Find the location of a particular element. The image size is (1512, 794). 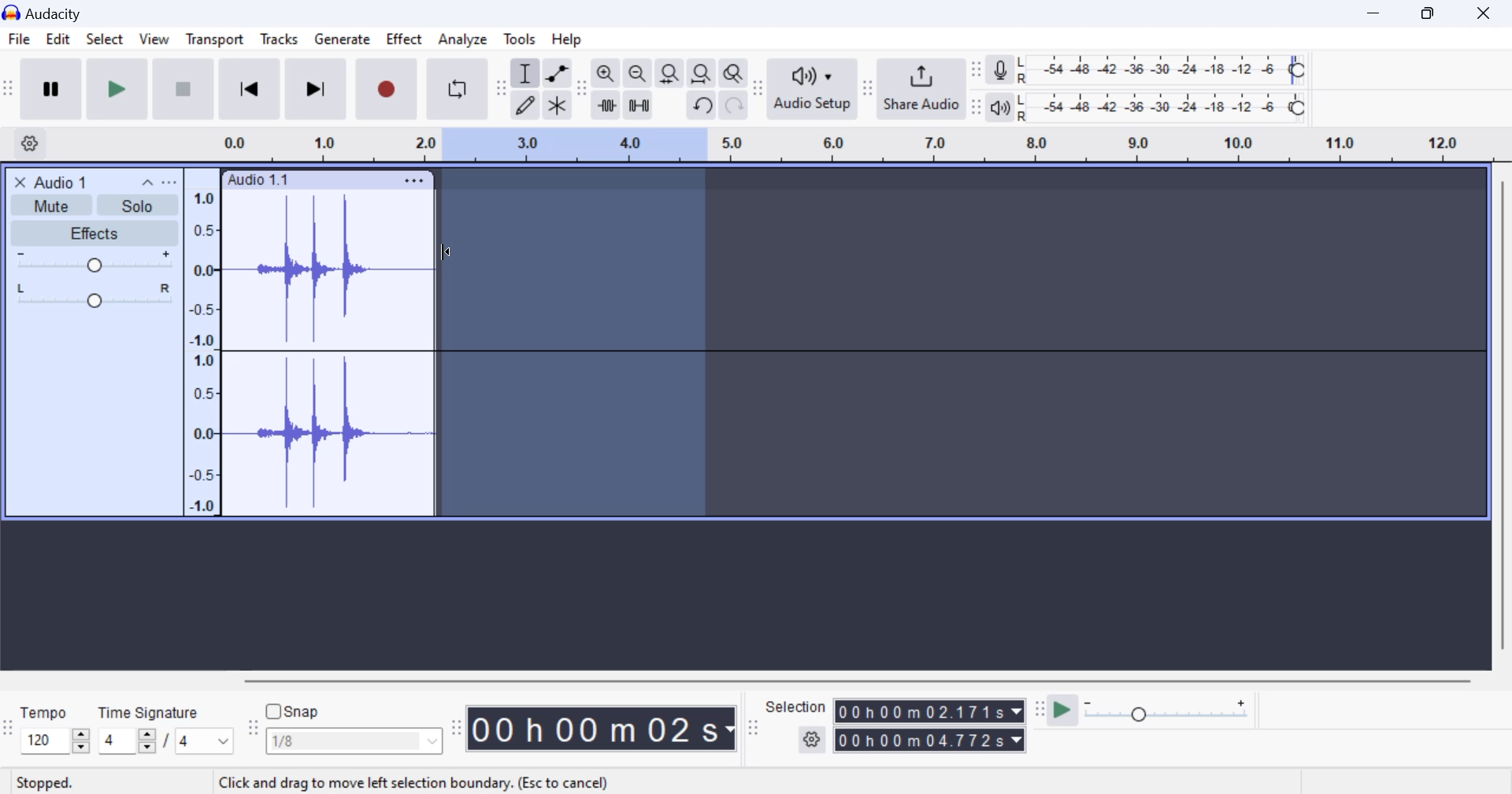

Record is located at coordinates (384, 90).